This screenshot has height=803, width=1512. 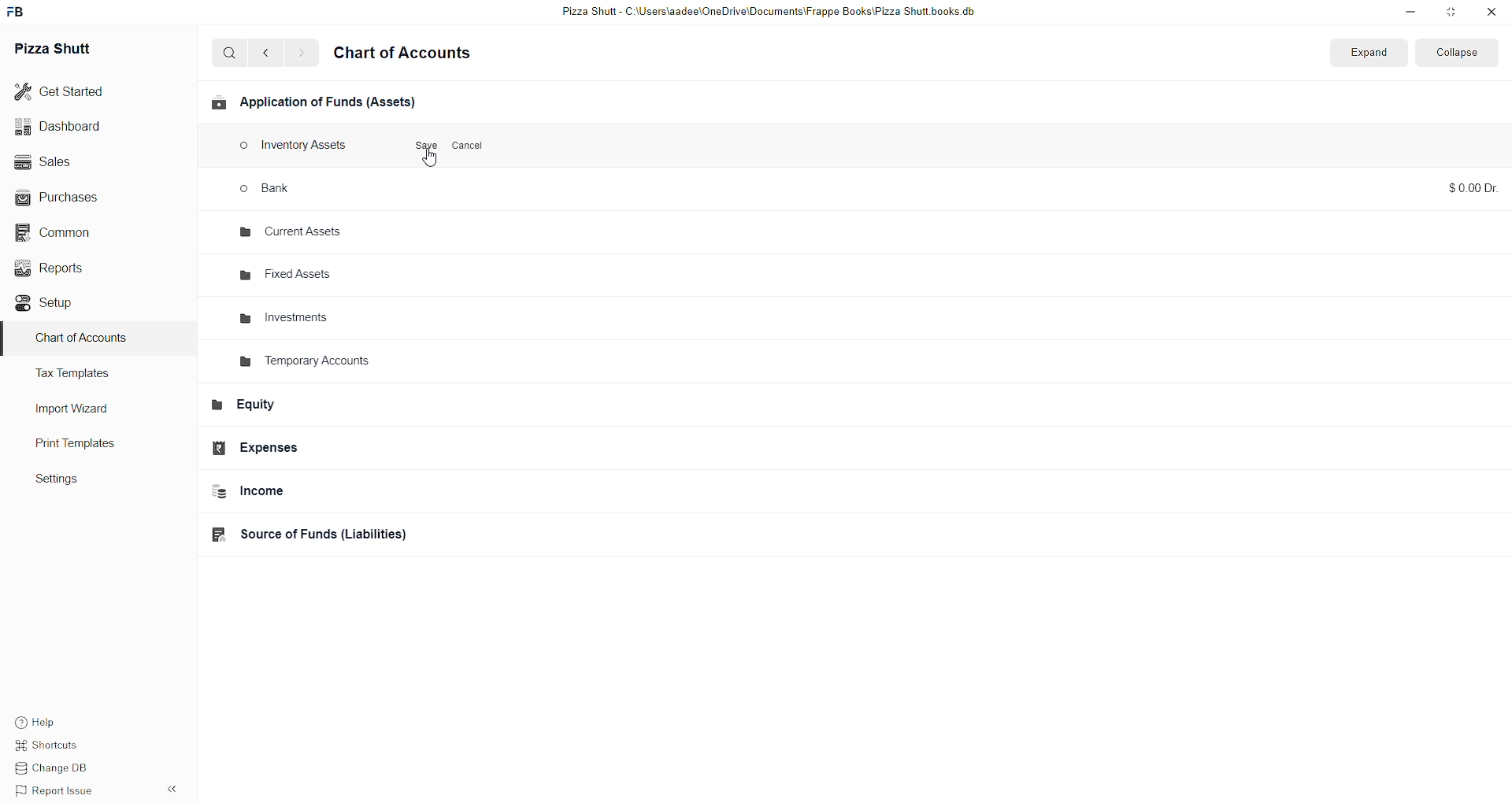 I want to click on $0.000 Dr, so click(x=1471, y=190).